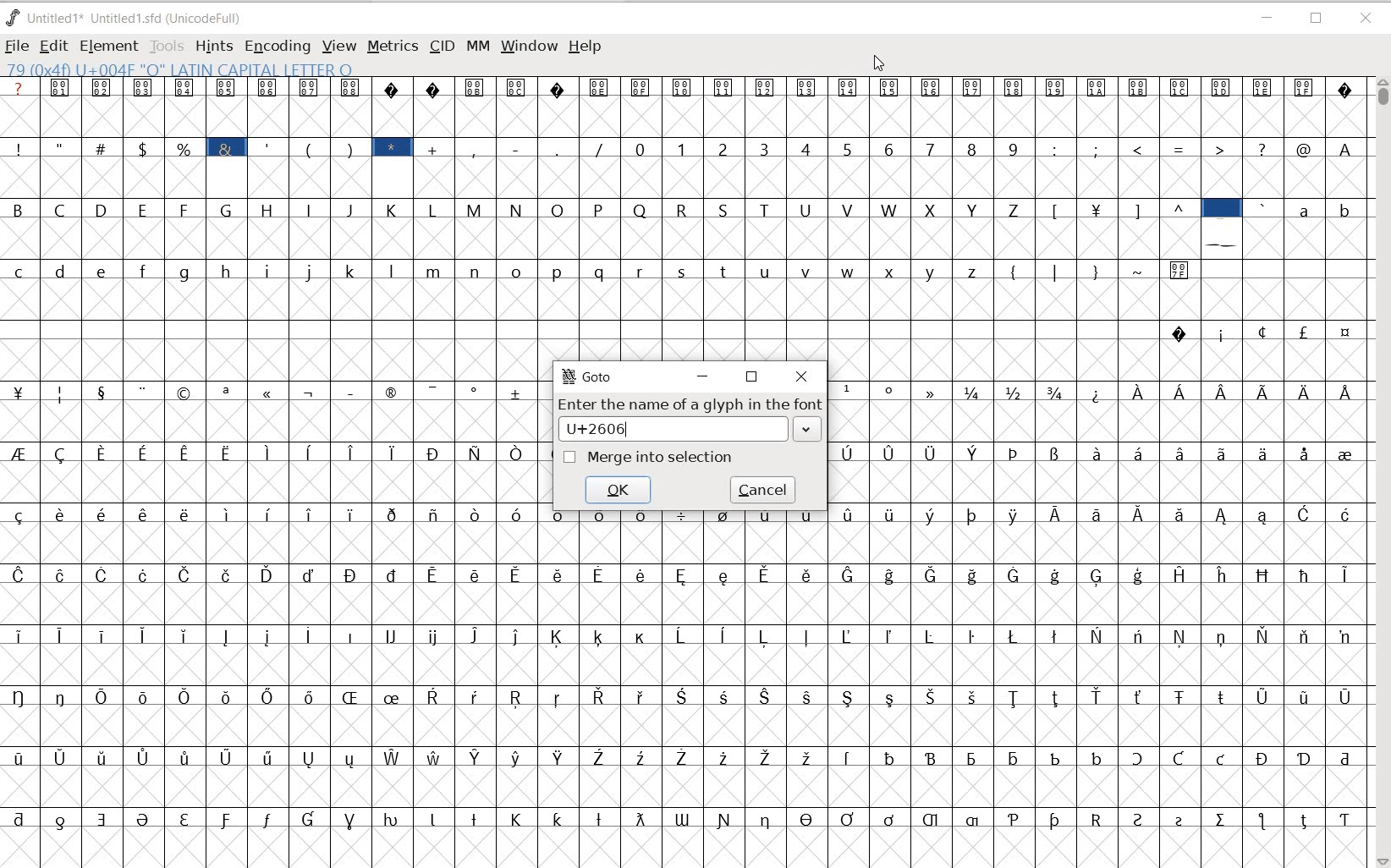  What do you see at coordinates (168, 47) in the screenshot?
I see `TOOLS` at bounding box center [168, 47].